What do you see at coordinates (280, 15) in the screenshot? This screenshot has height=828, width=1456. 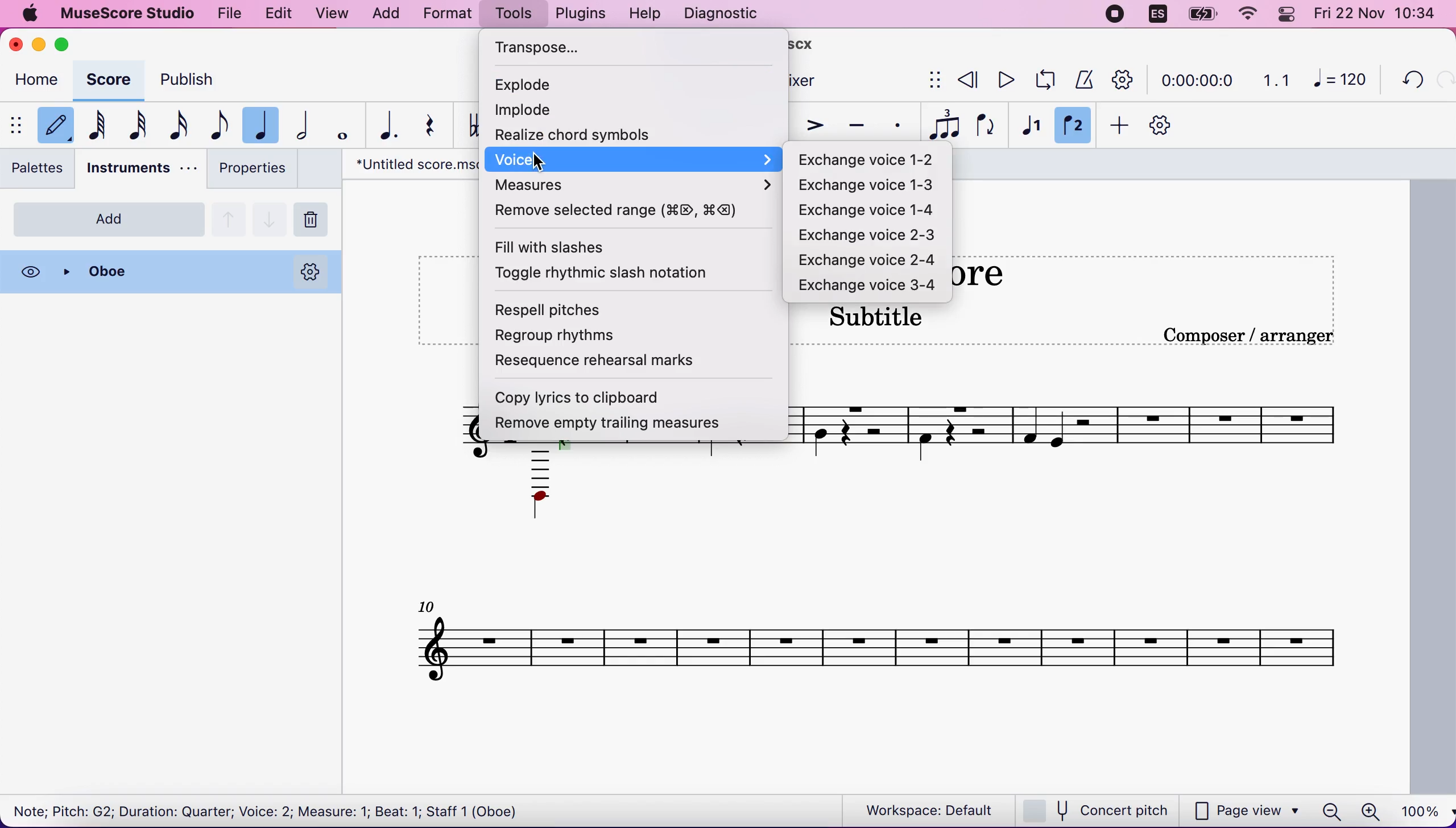 I see `edit` at bounding box center [280, 15].